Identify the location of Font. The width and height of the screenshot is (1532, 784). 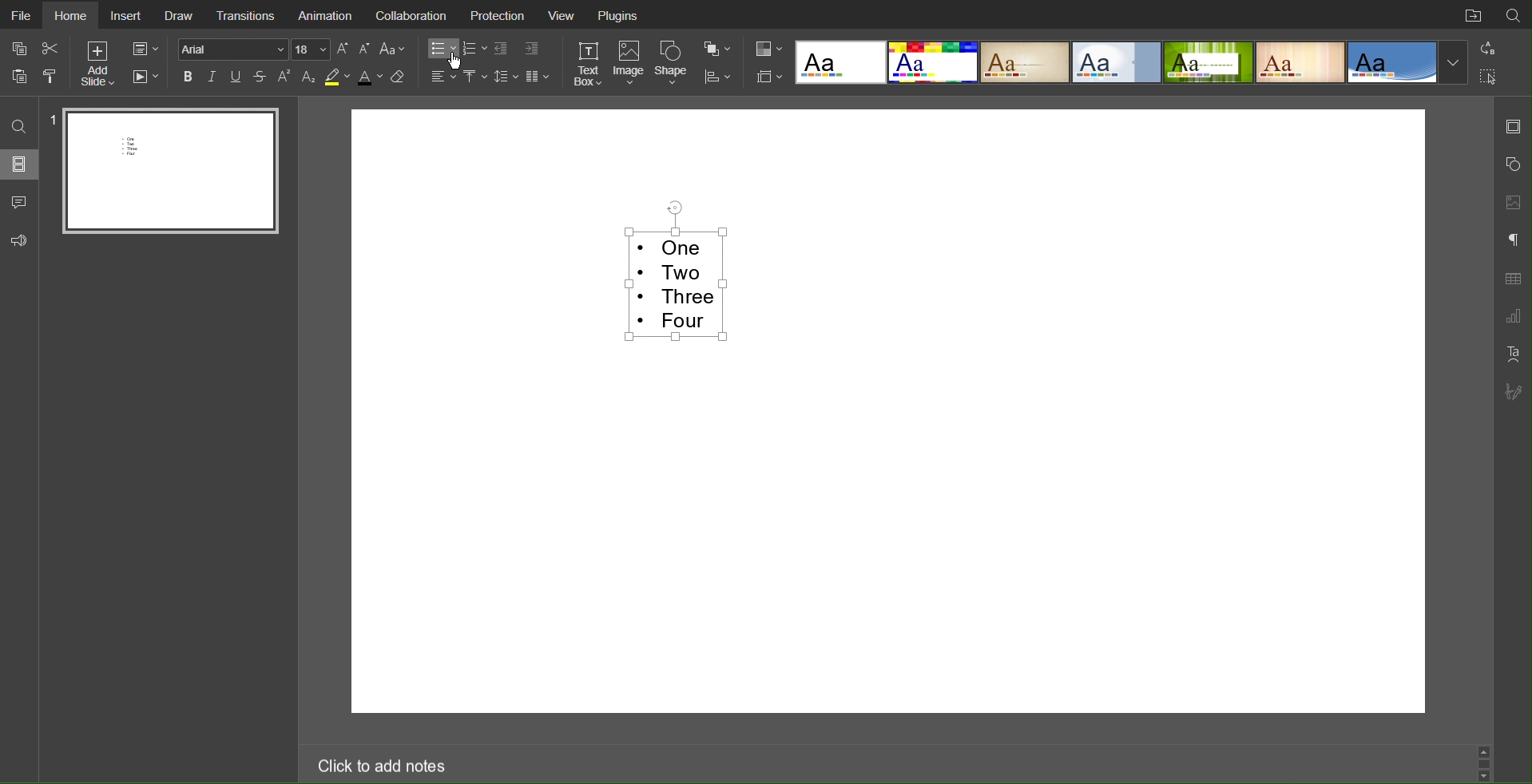
(234, 49).